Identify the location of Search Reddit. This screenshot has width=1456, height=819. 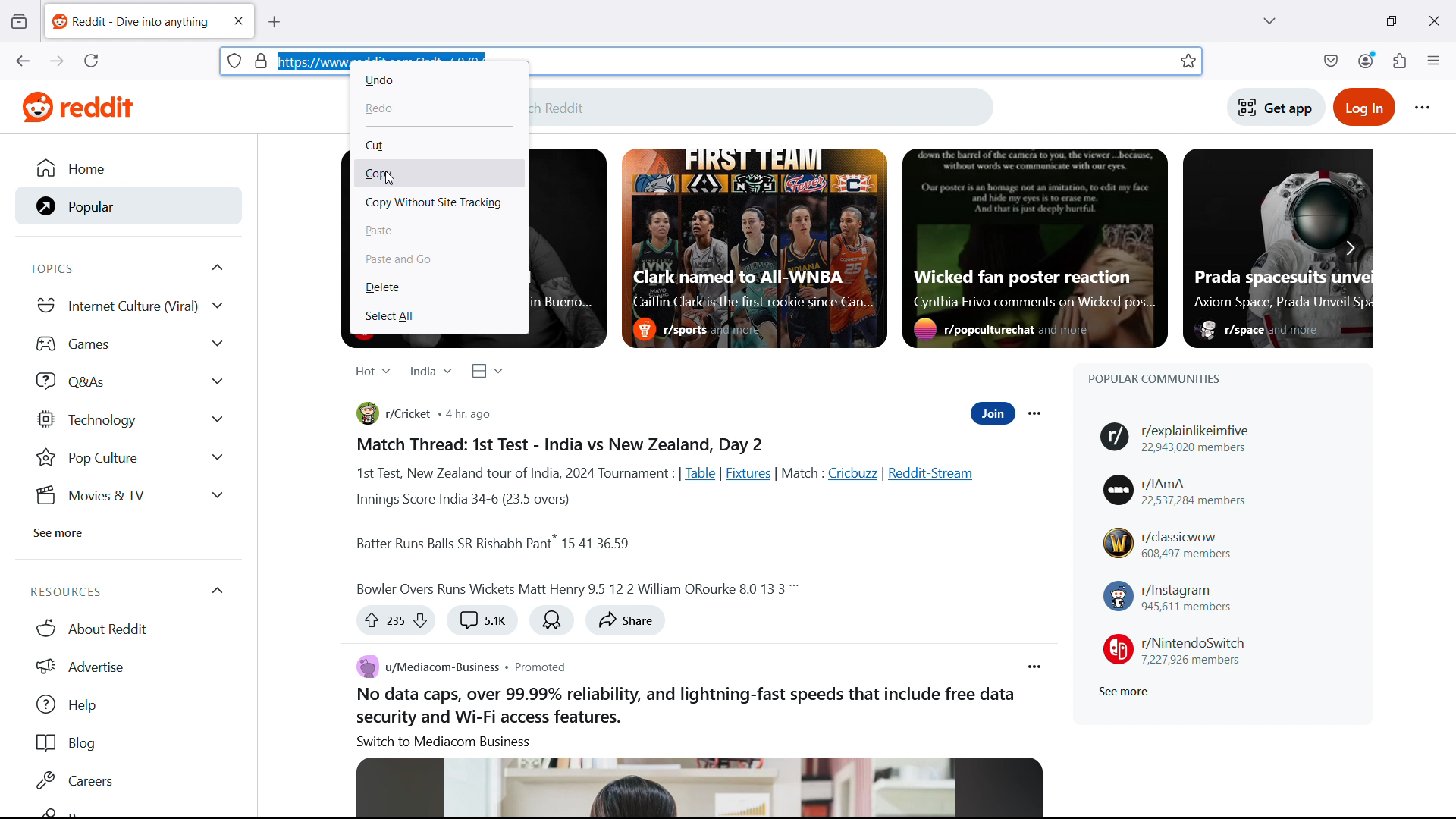
(764, 105).